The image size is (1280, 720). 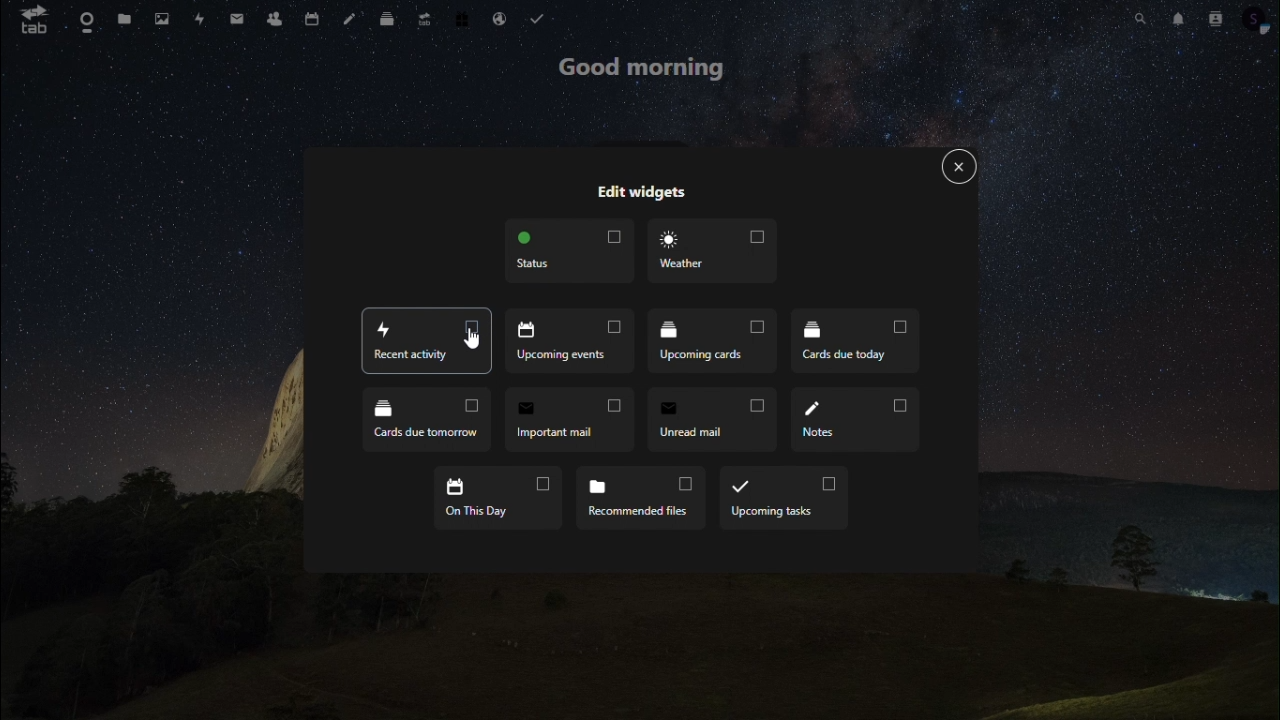 I want to click on notification, so click(x=1176, y=25).